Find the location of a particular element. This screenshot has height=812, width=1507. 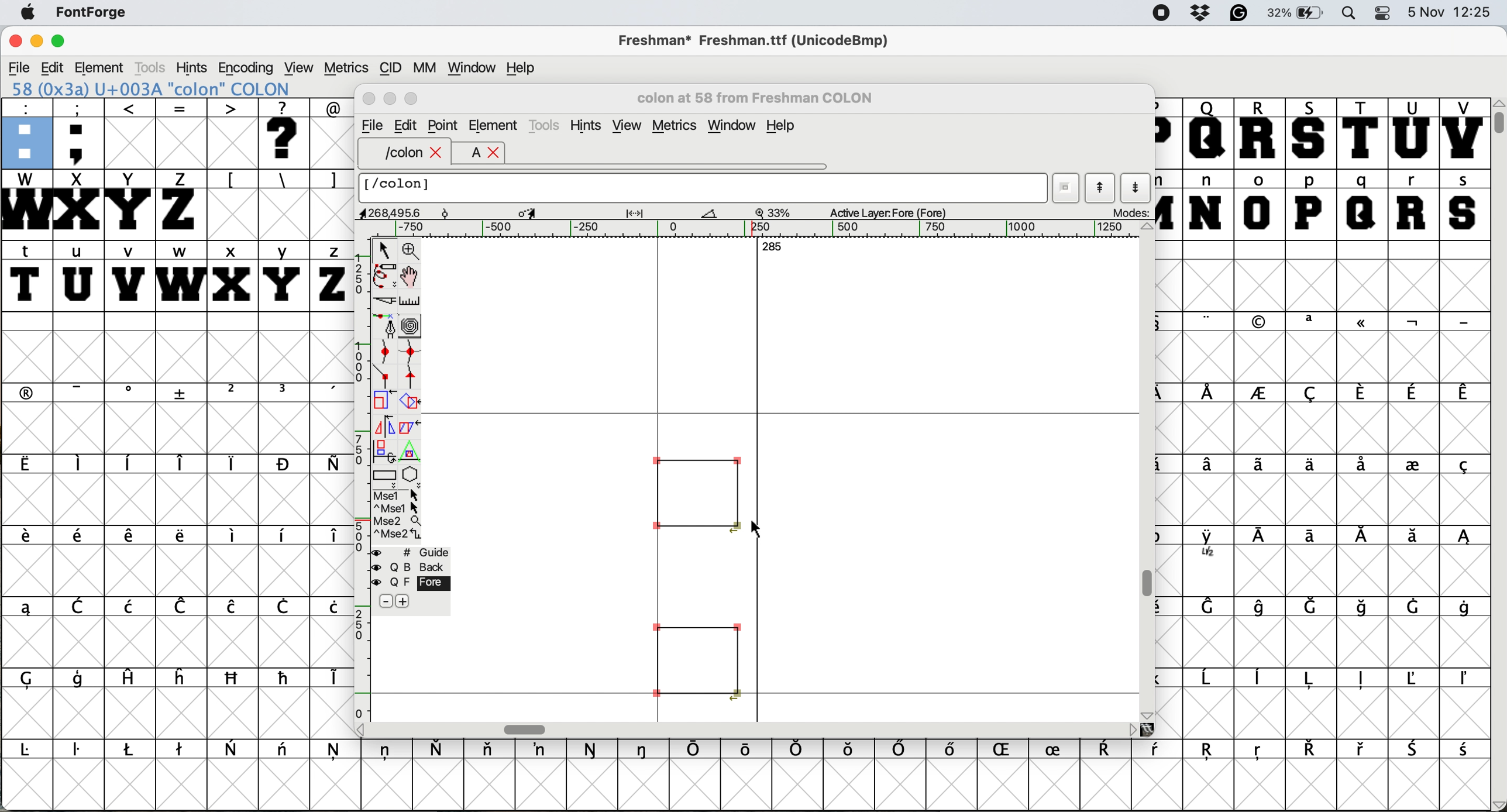

glyph is located at coordinates (696, 574).